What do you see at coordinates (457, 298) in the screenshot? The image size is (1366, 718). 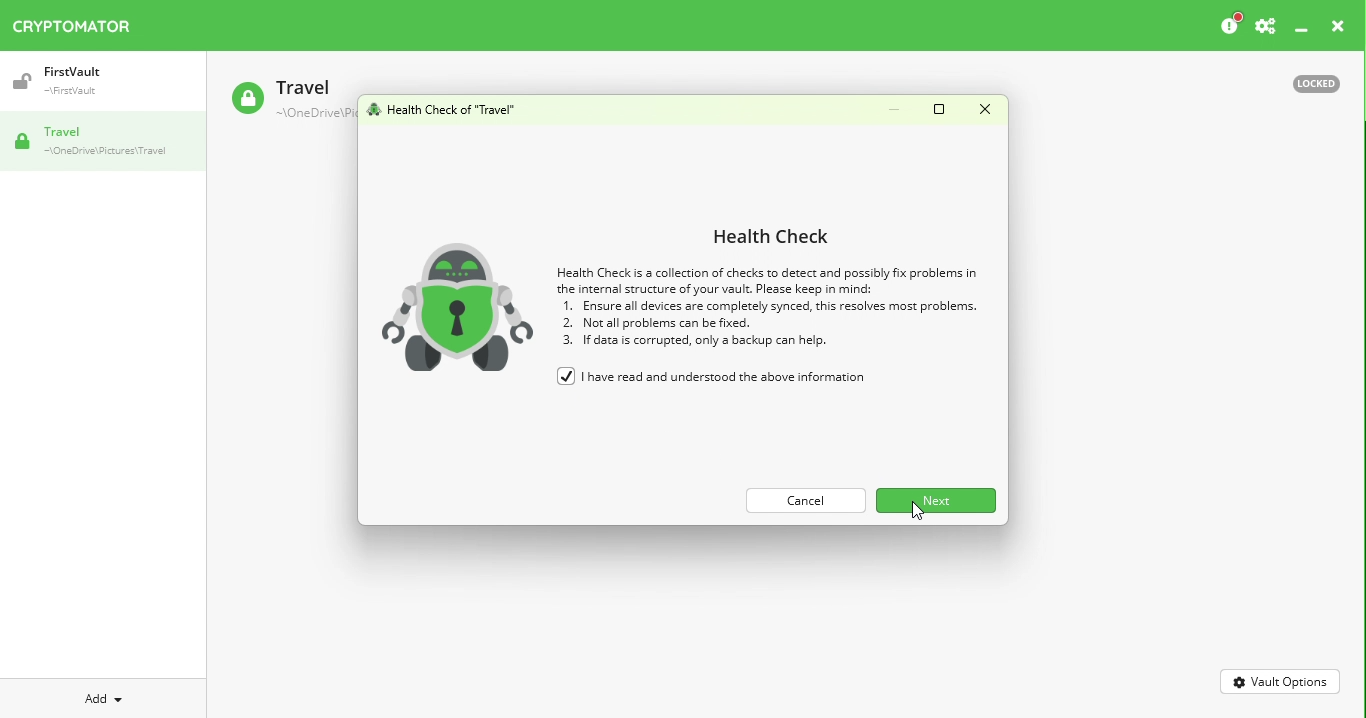 I see `robot` at bounding box center [457, 298].